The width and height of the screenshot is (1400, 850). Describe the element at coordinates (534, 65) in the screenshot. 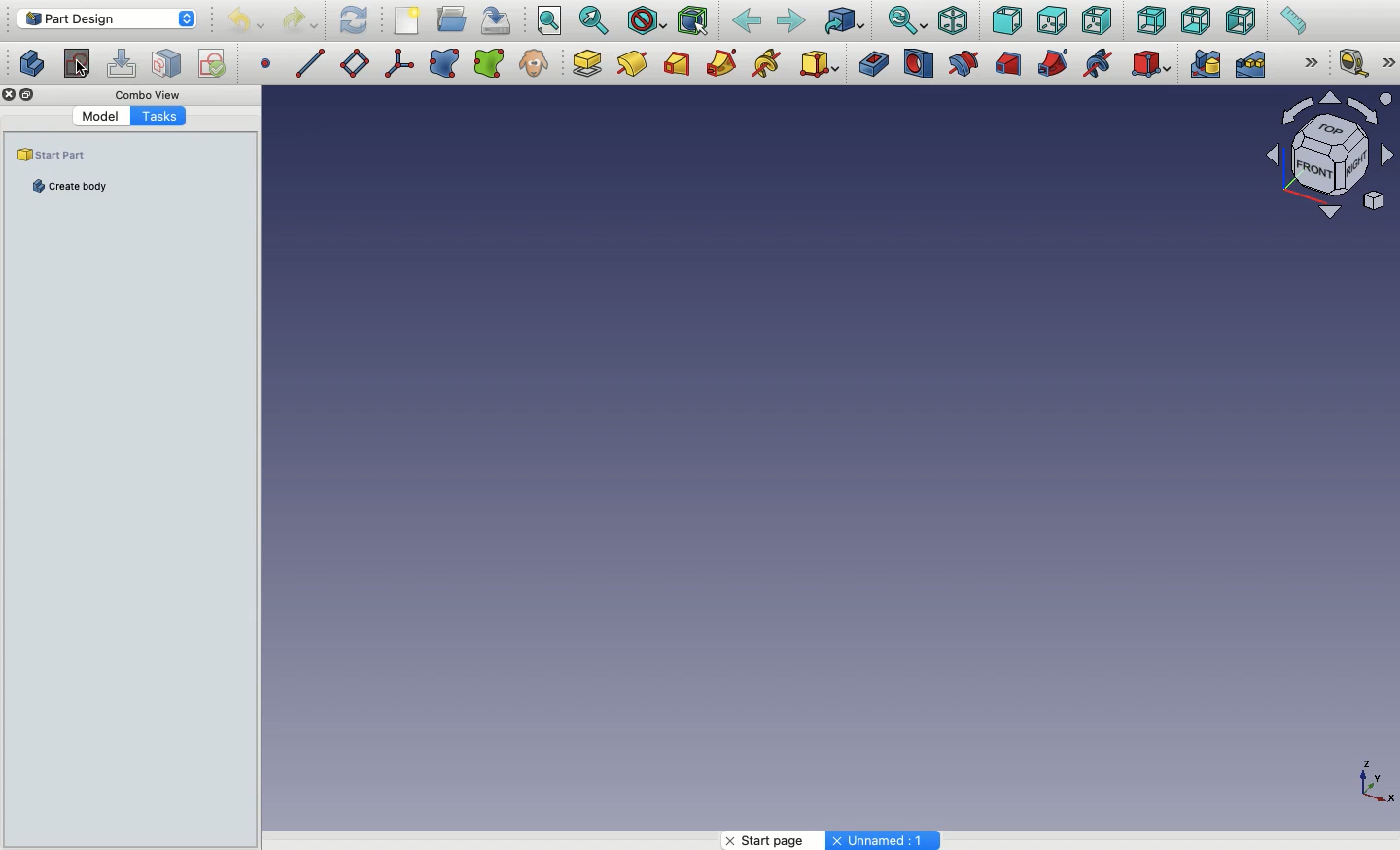

I see `Clone` at that location.